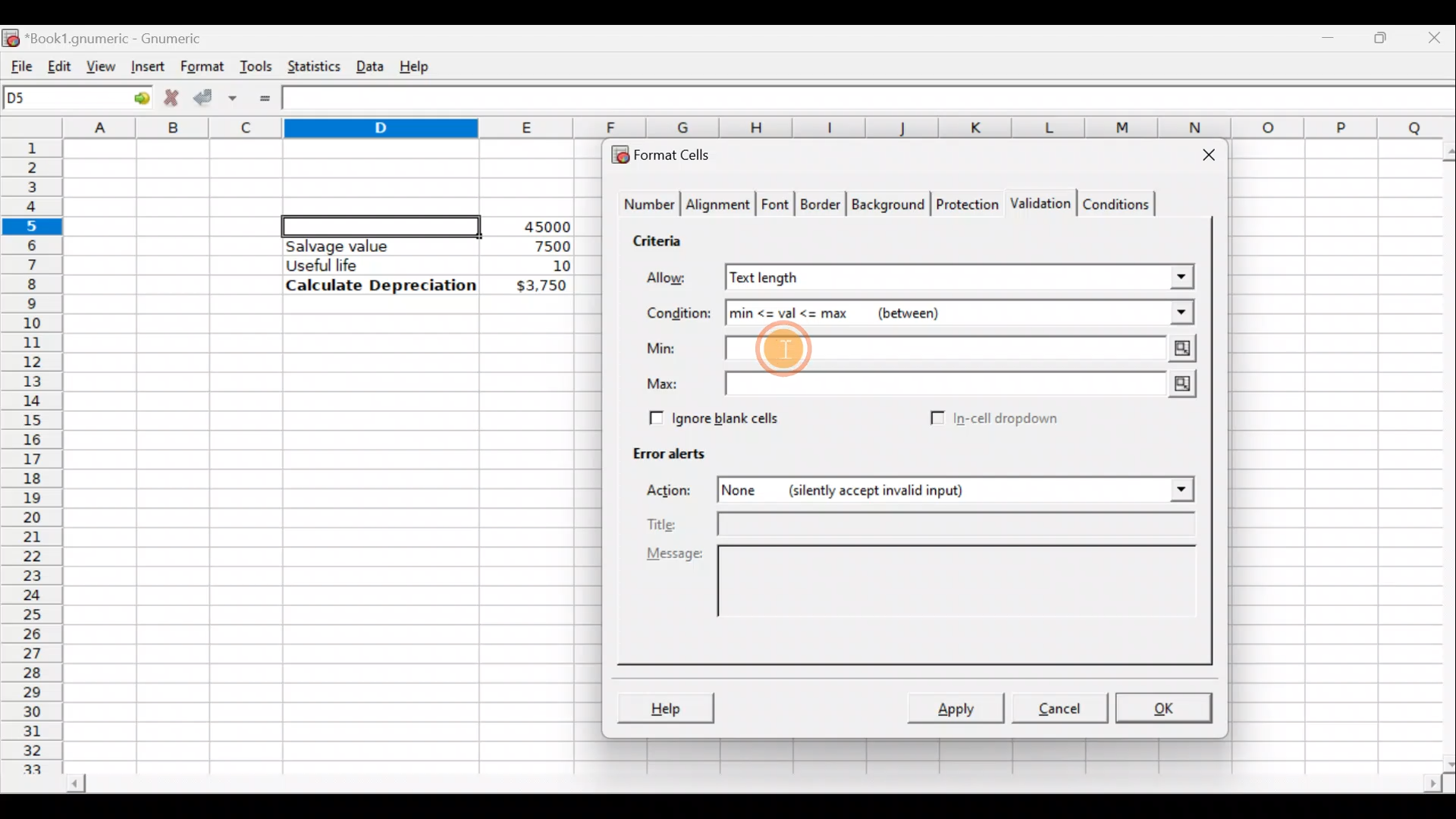  What do you see at coordinates (102, 65) in the screenshot?
I see `View` at bounding box center [102, 65].